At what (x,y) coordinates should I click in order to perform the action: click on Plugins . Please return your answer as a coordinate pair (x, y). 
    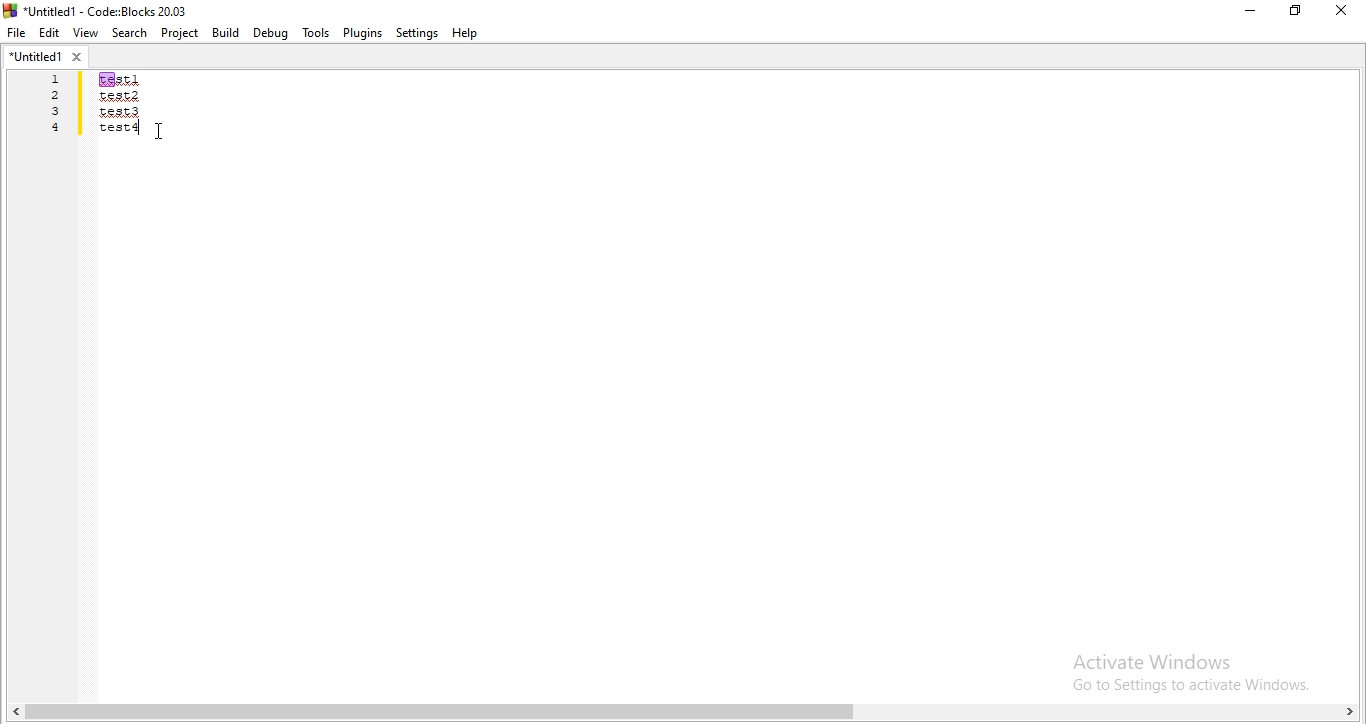
    Looking at the image, I should click on (363, 32).